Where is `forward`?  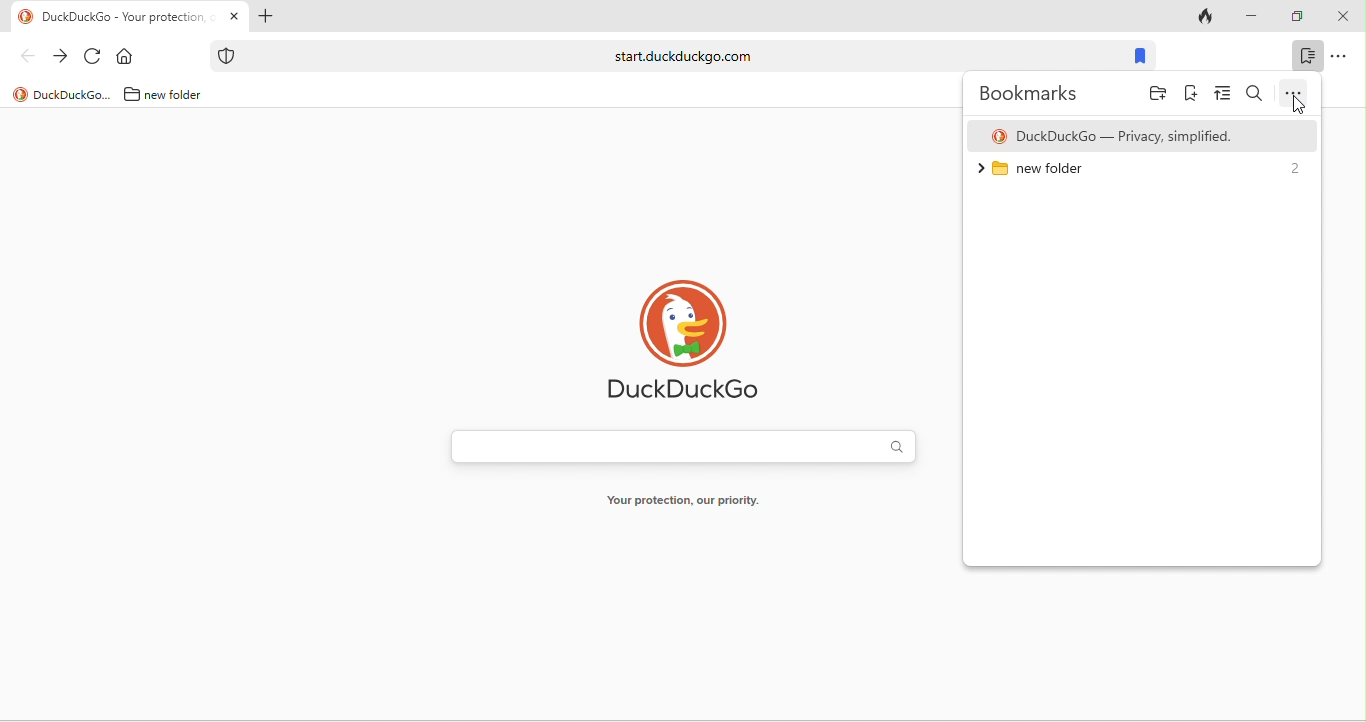 forward is located at coordinates (60, 57).